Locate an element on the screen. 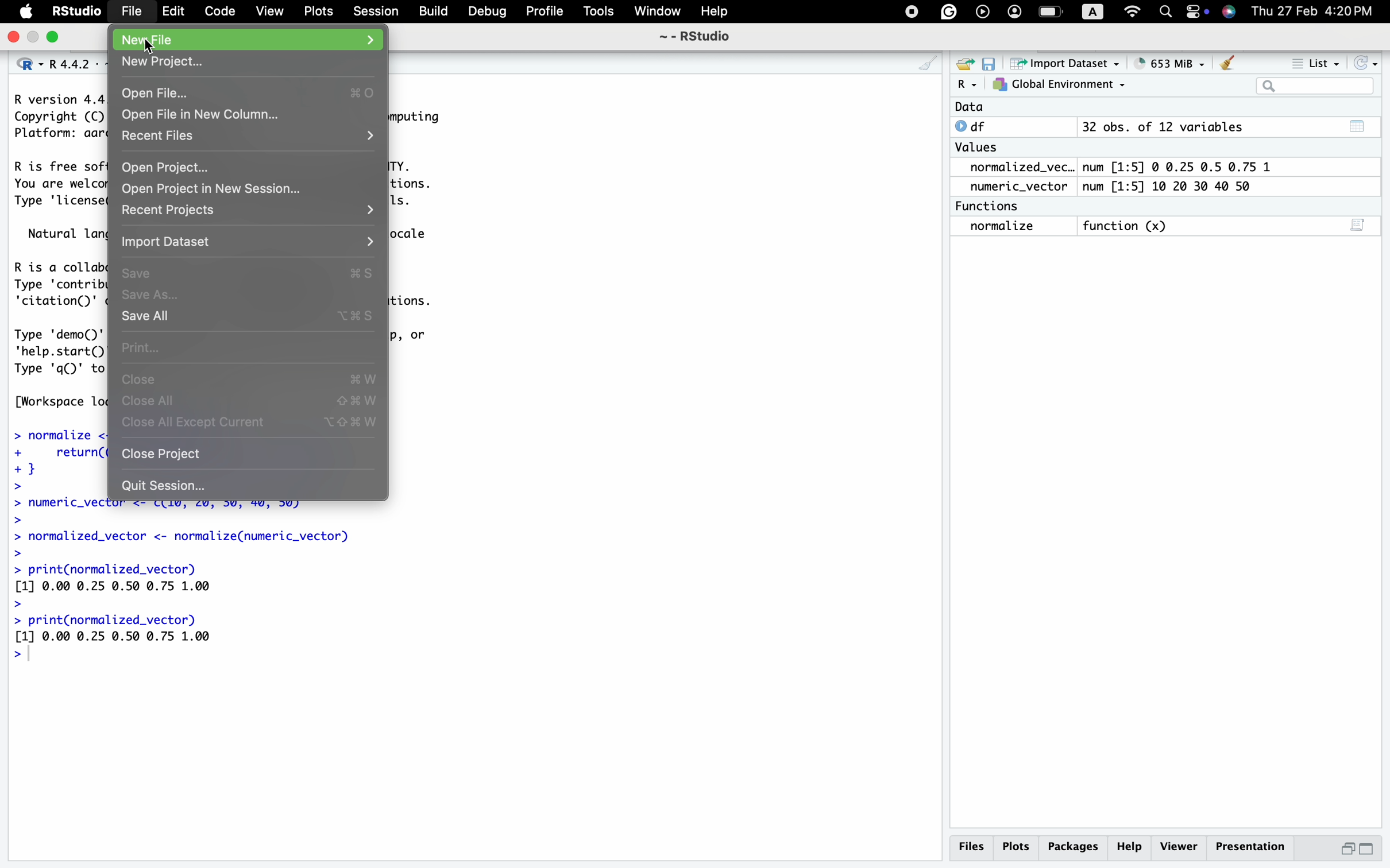  Apple is located at coordinates (27, 12).